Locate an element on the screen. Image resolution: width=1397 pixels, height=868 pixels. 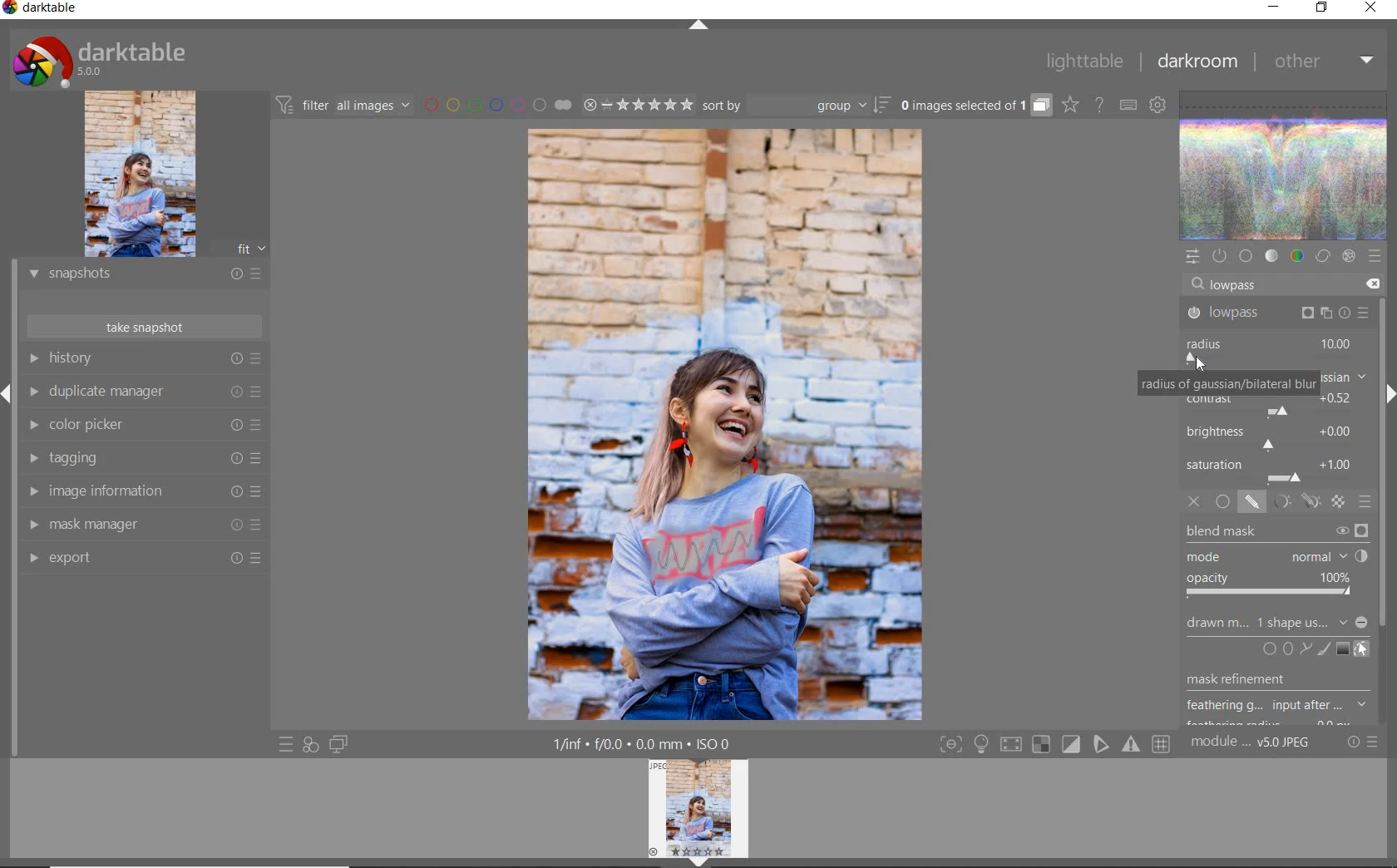
set keyboard shortcuts is located at coordinates (1127, 104).